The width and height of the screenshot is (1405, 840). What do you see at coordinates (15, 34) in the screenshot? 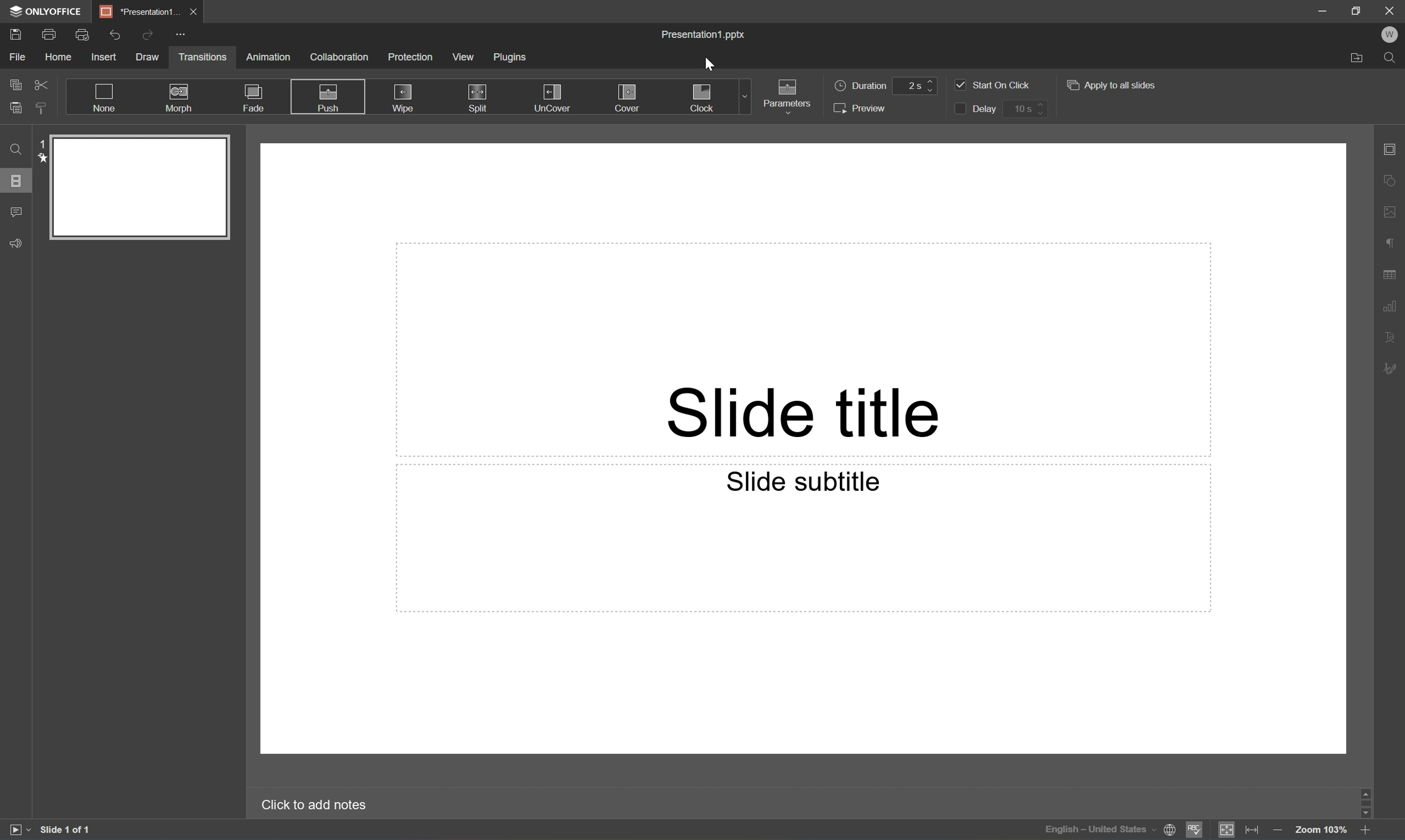
I see `Save` at bounding box center [15, 34].